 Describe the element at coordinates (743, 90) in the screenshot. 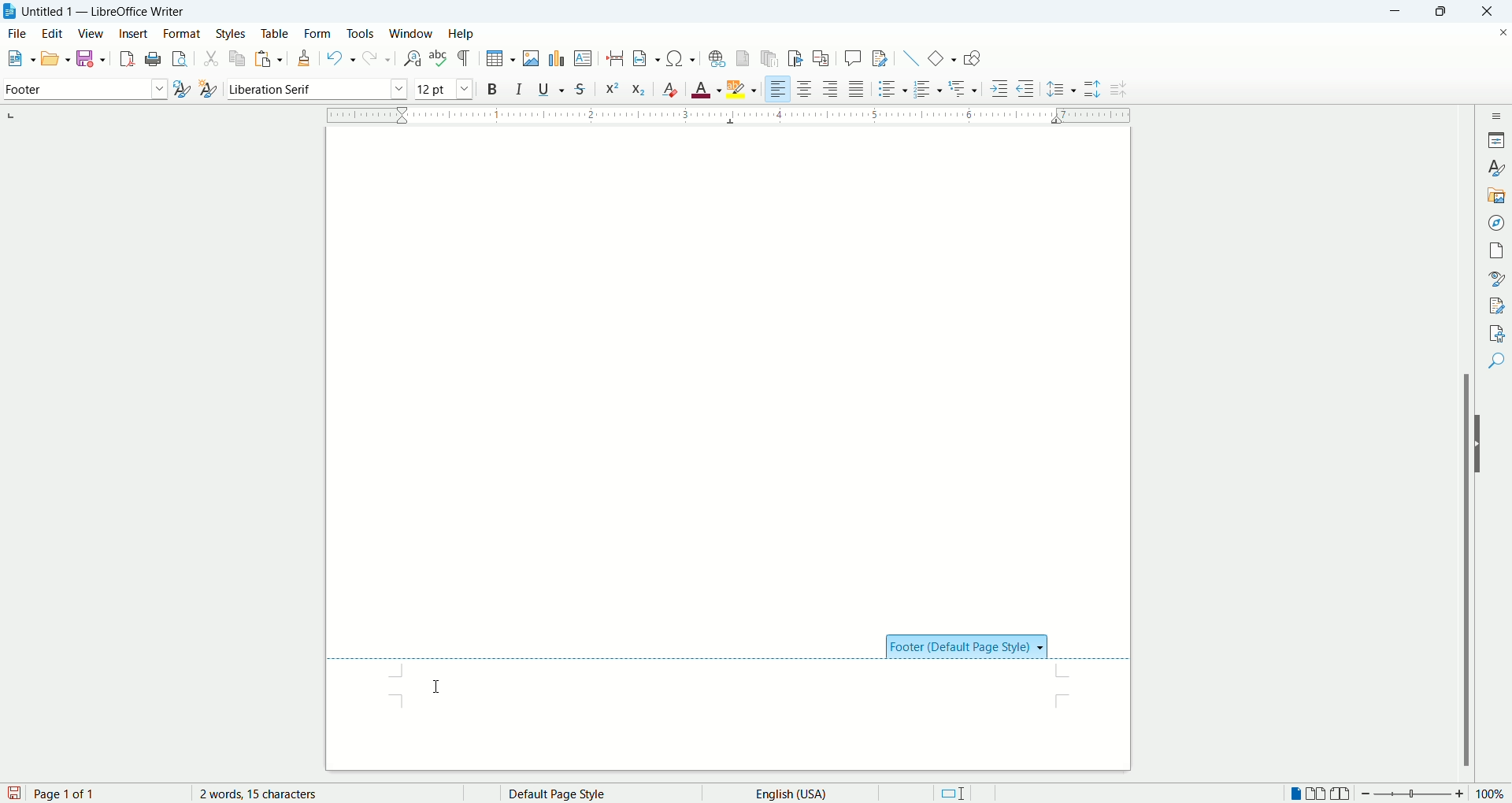

I see `text highlighting` at that location.